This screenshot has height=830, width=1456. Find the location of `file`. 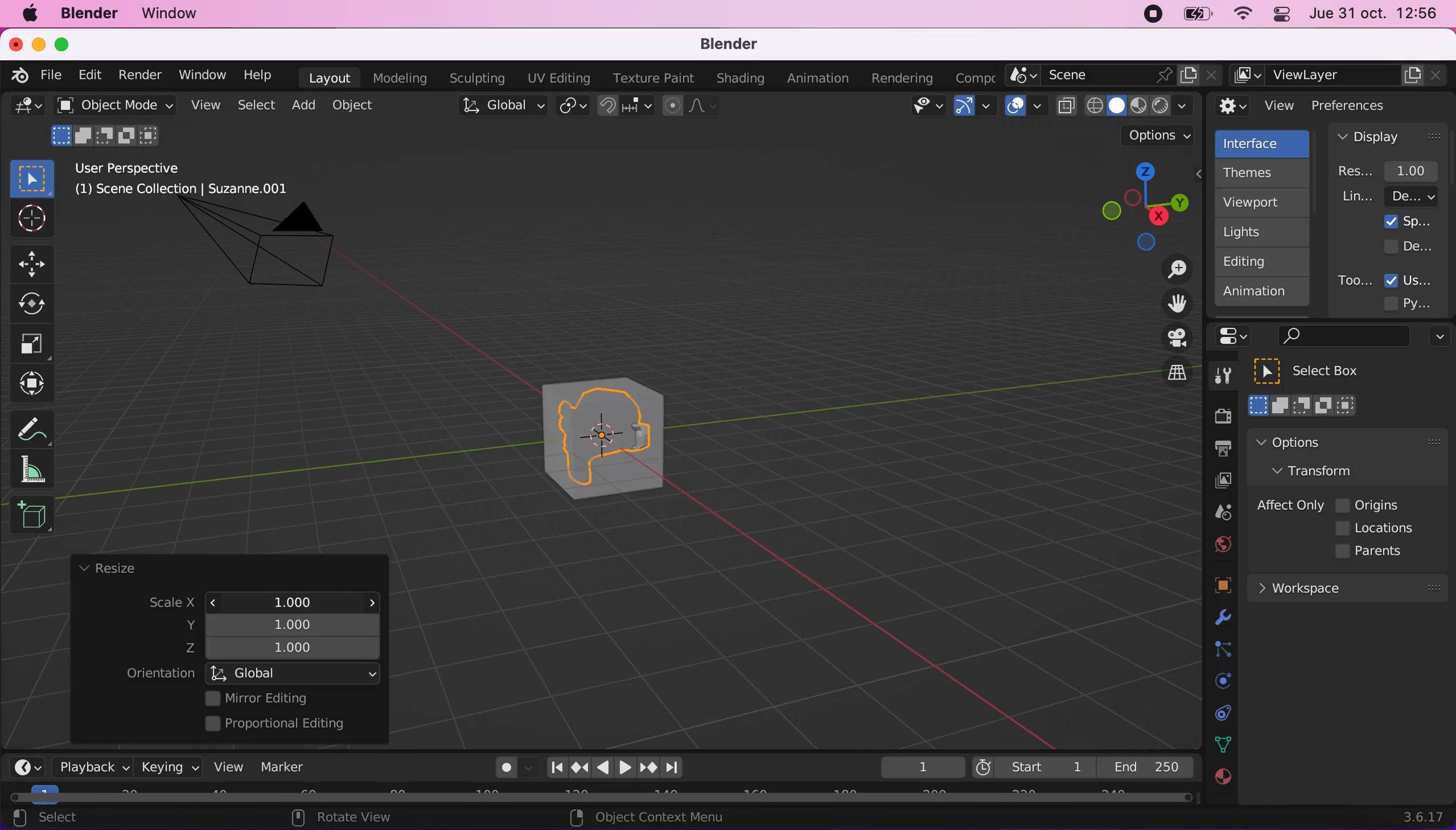

file is located at coordinates (49, 75).